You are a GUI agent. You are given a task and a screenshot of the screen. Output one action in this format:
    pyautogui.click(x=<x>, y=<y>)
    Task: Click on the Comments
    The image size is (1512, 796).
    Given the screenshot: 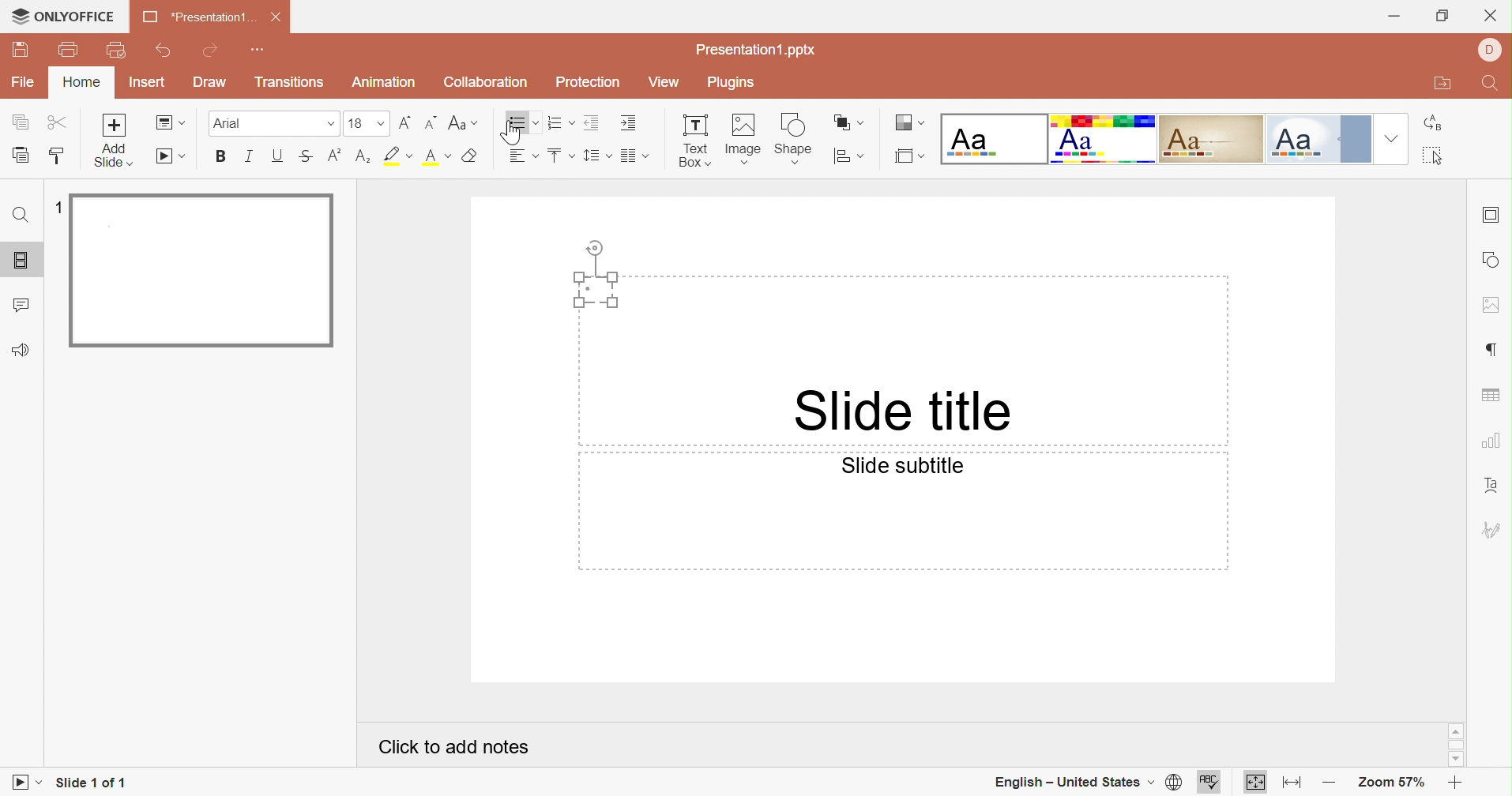 What is the action you would take?
    pyautogui.click(x=22, y=306)
    